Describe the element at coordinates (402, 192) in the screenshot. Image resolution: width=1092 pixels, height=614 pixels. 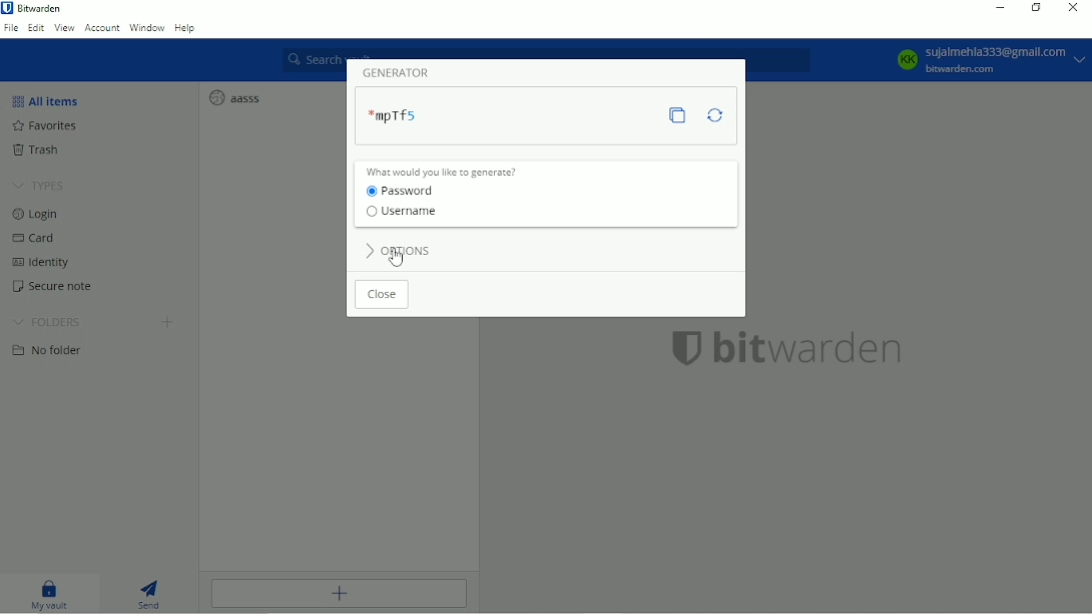
I see `Password radio button` at that location.